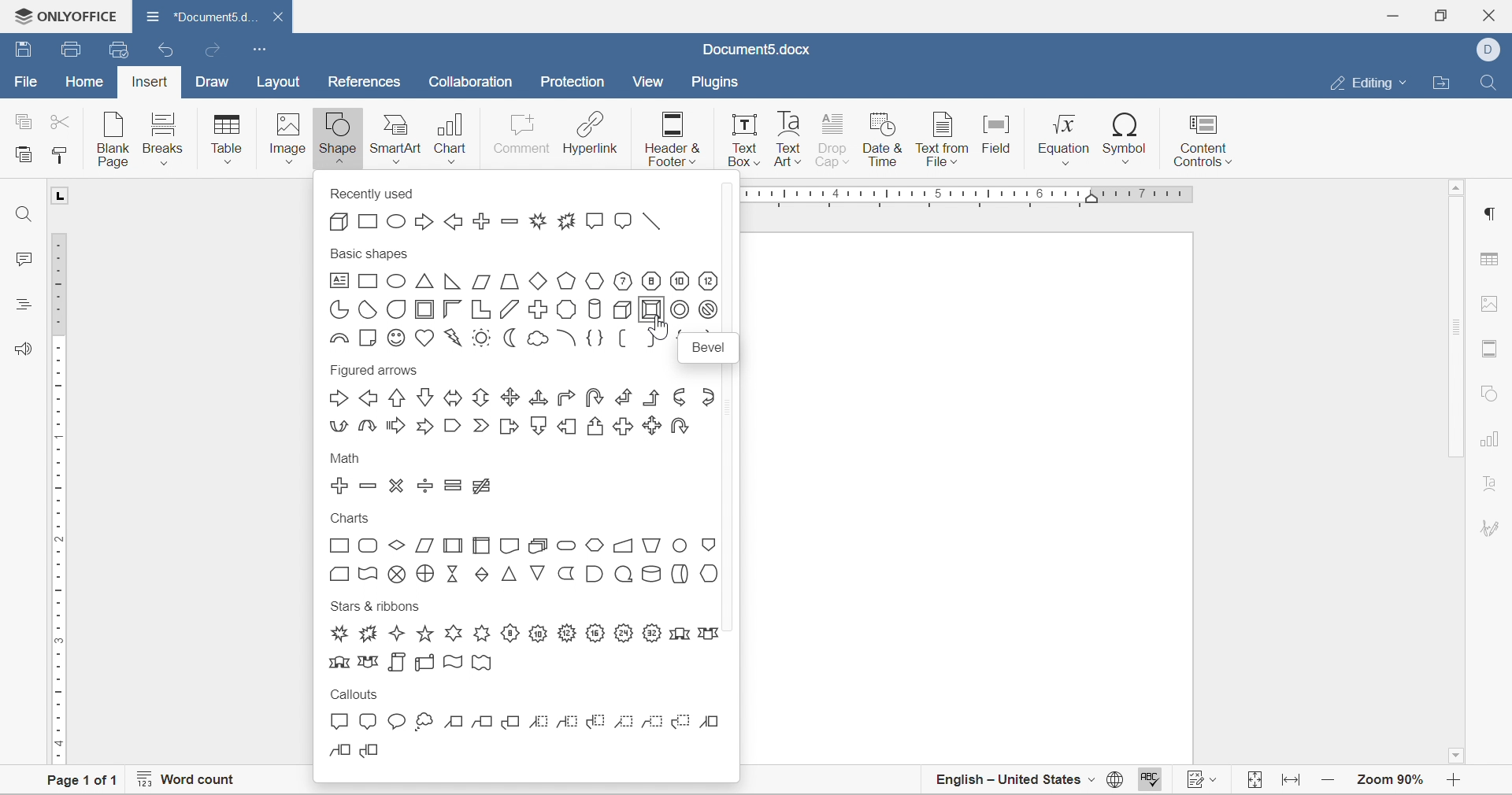 The width and height of the screenshot is (1512, 795). What do you see at coordinates (1458, 756) in the screenshot?
I see `scroll down` at bounding box center [1458, 756].